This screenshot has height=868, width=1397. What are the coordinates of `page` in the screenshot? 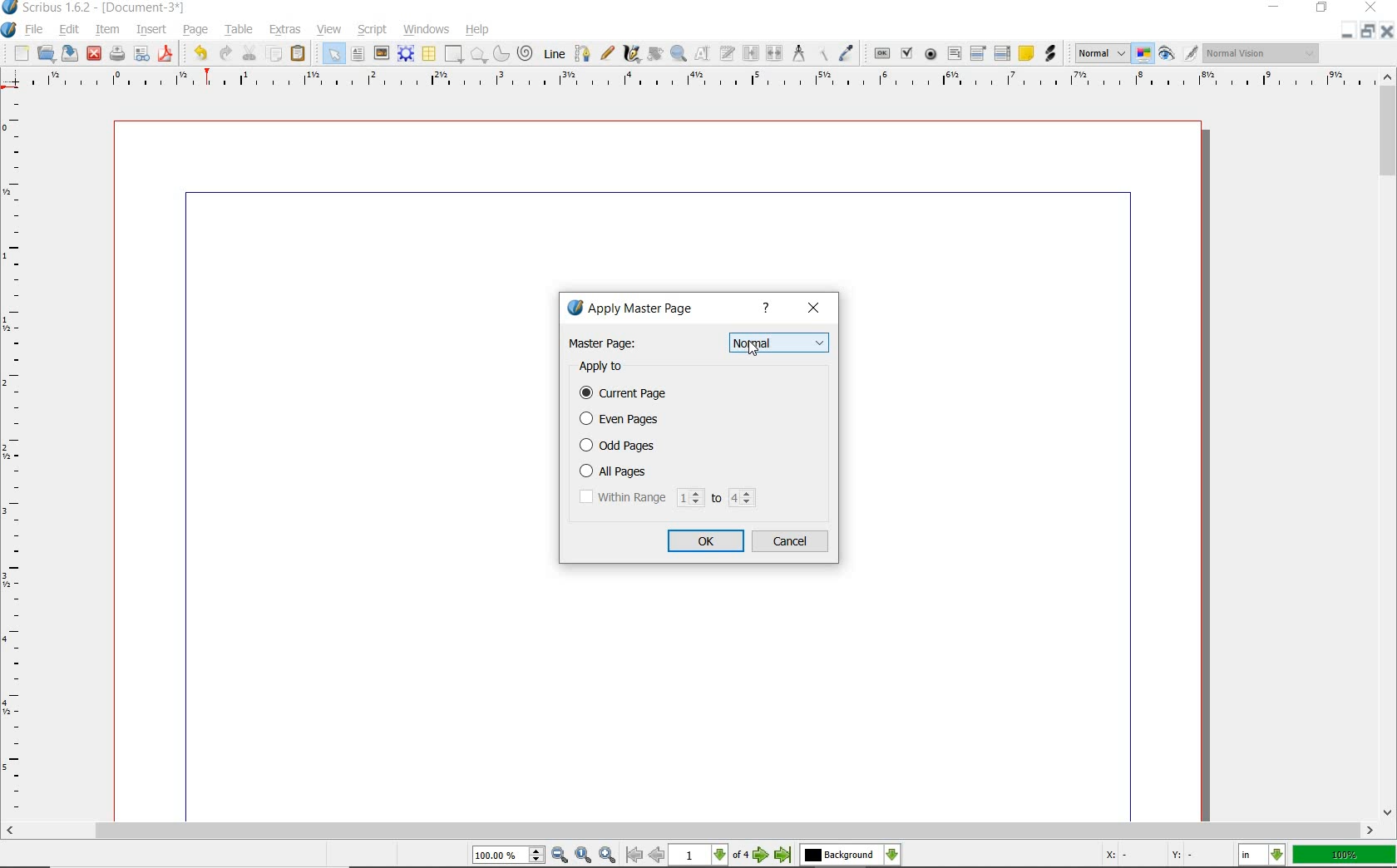 It's located at (192, 28).